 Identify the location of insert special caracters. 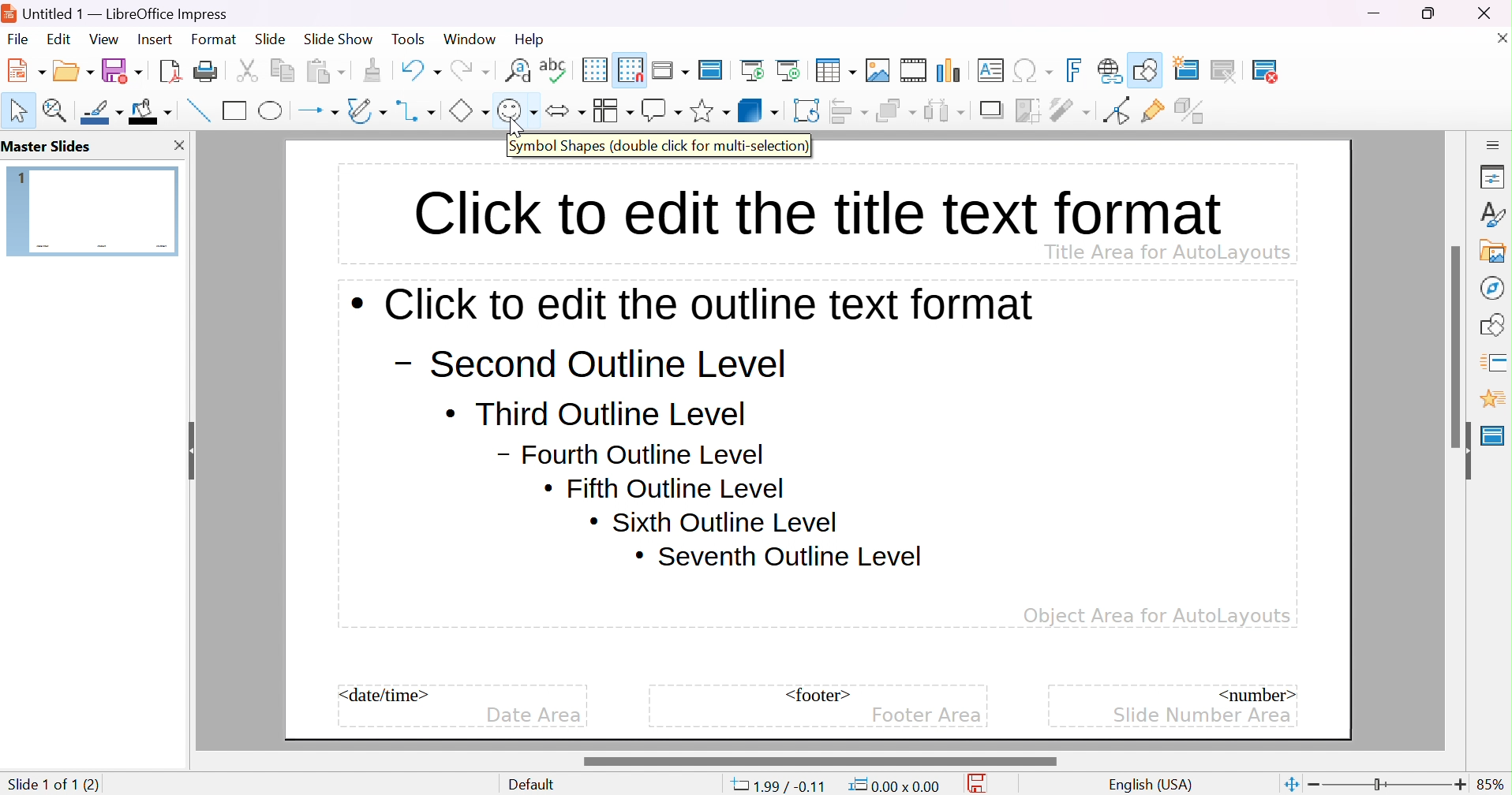
(1033, 71).